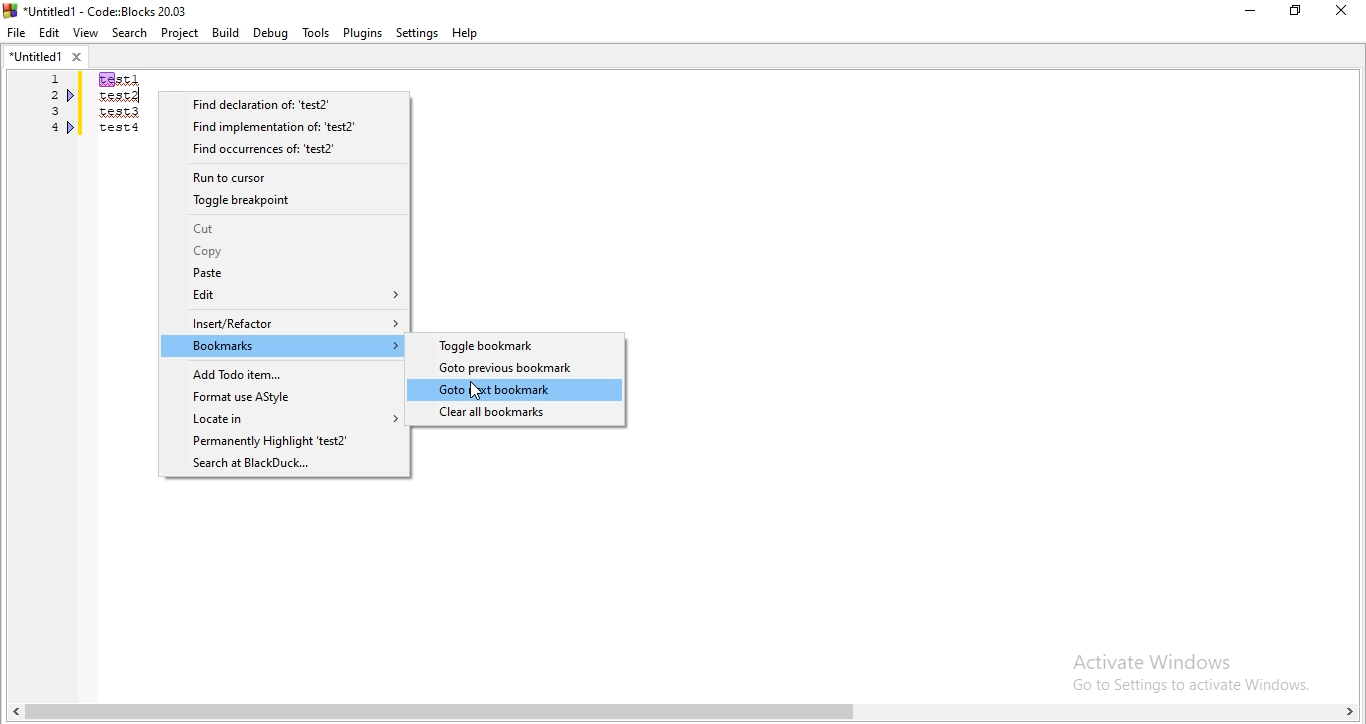  What do you see at coordinates (281, 397) in the screenshot?
I see `Format use AStyle` at bounding box center [281, 397].